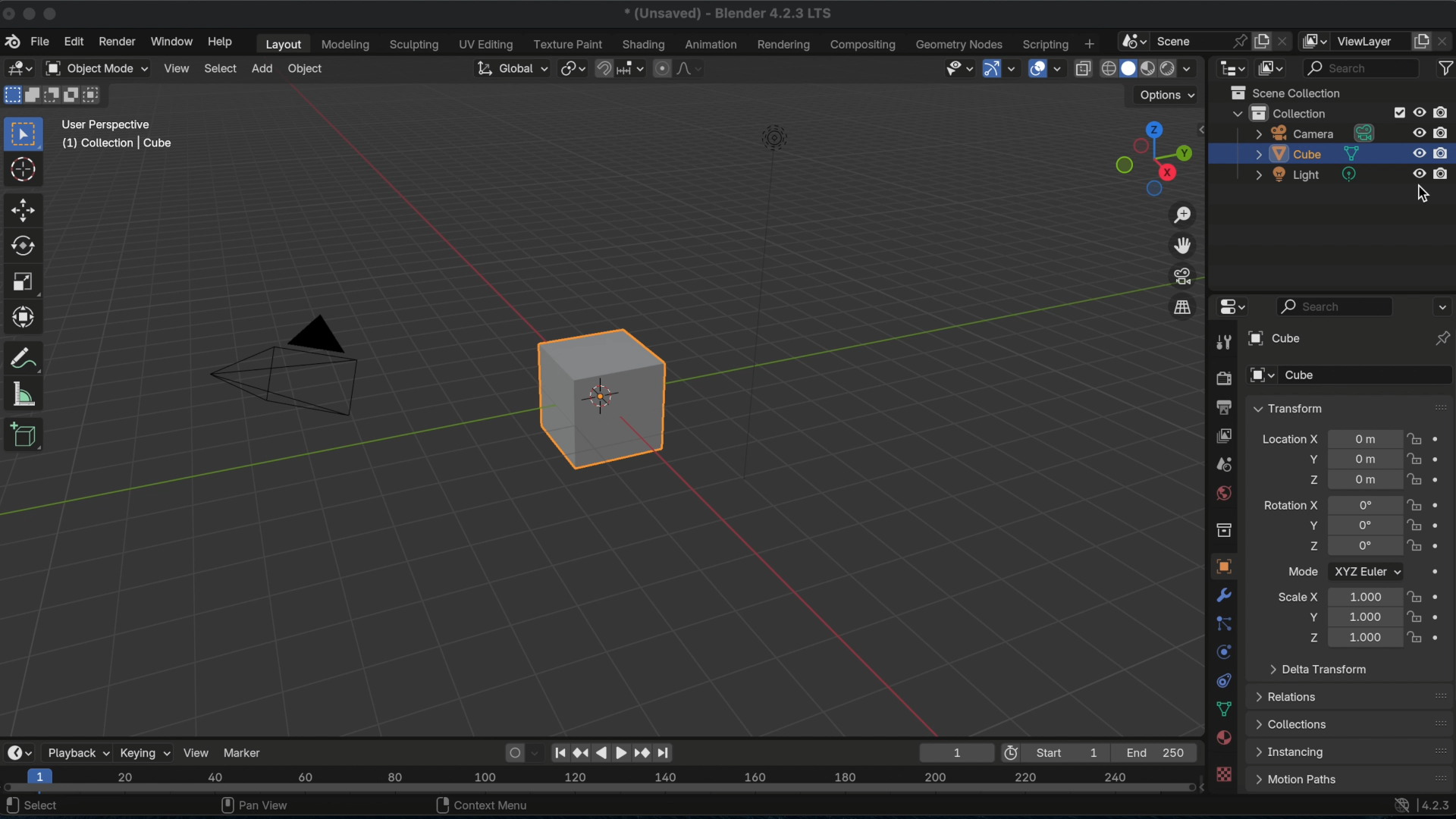 Image resolution: width=1456 pixels, height=819 pixels. Describe the element at coordinates (601, 780) in the screenshot. I see `timeline` at that location.